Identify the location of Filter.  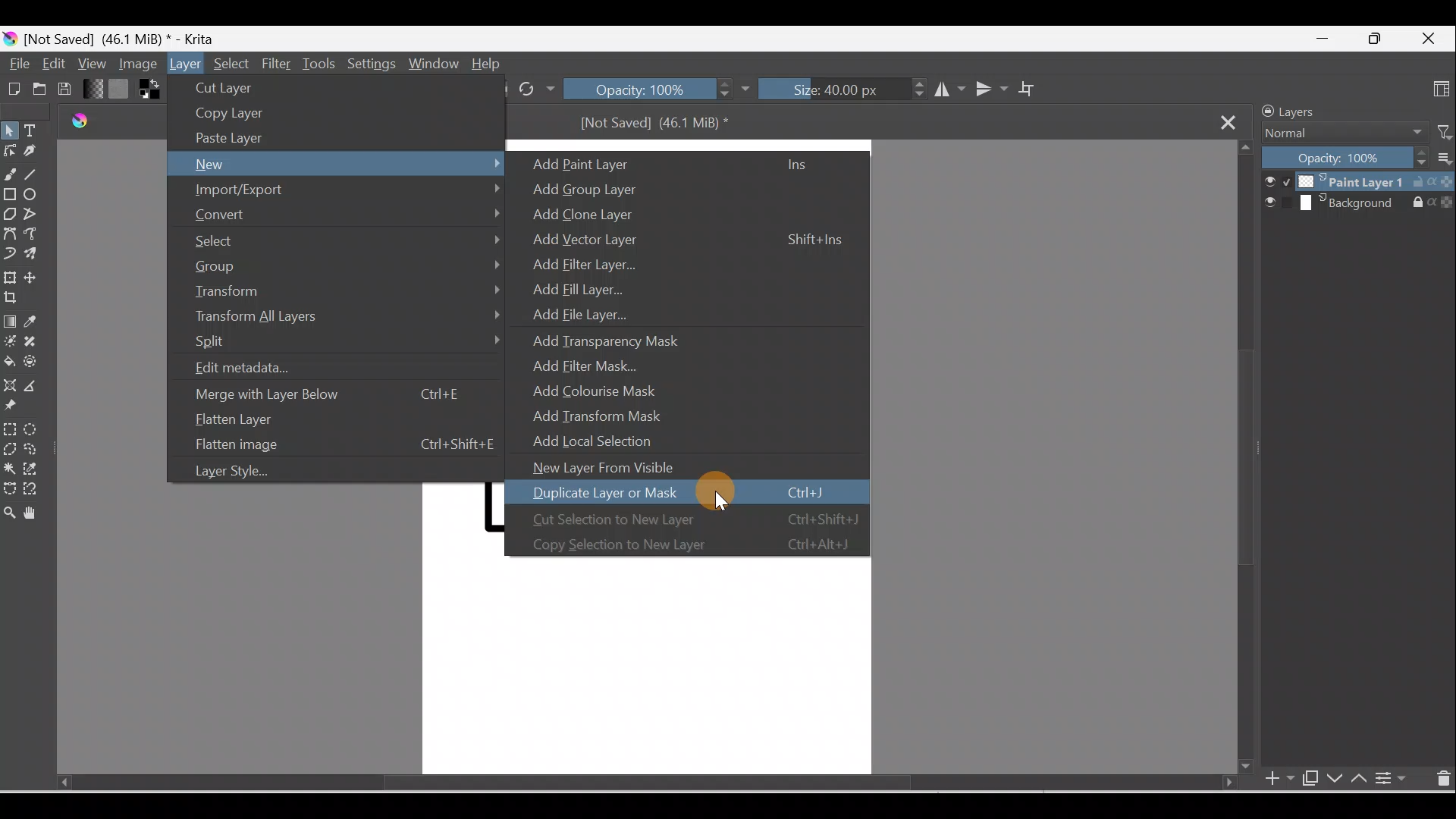
(278, 63).